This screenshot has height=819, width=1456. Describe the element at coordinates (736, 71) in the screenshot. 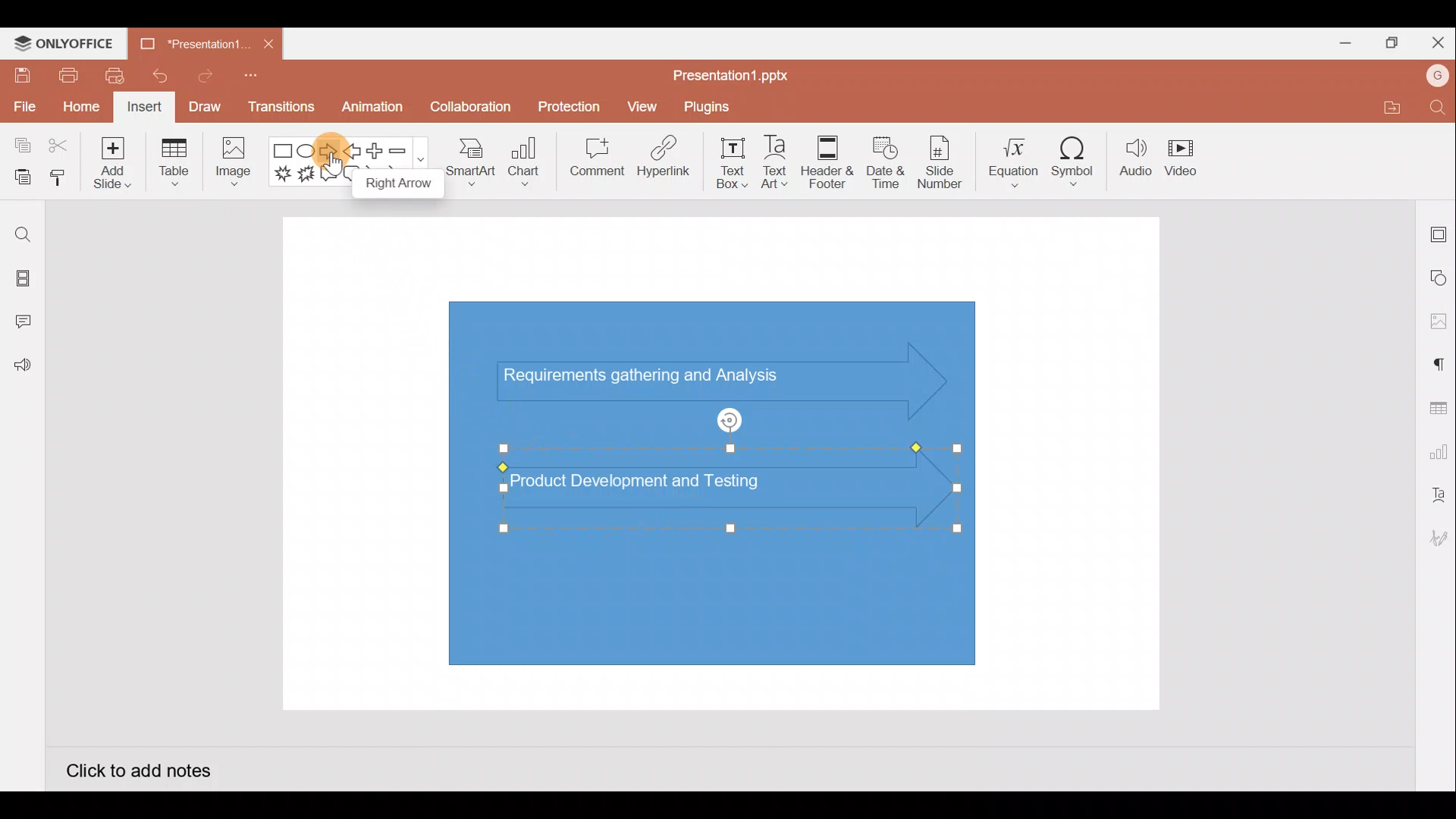

I see `Presentation1.pptx` at that location.